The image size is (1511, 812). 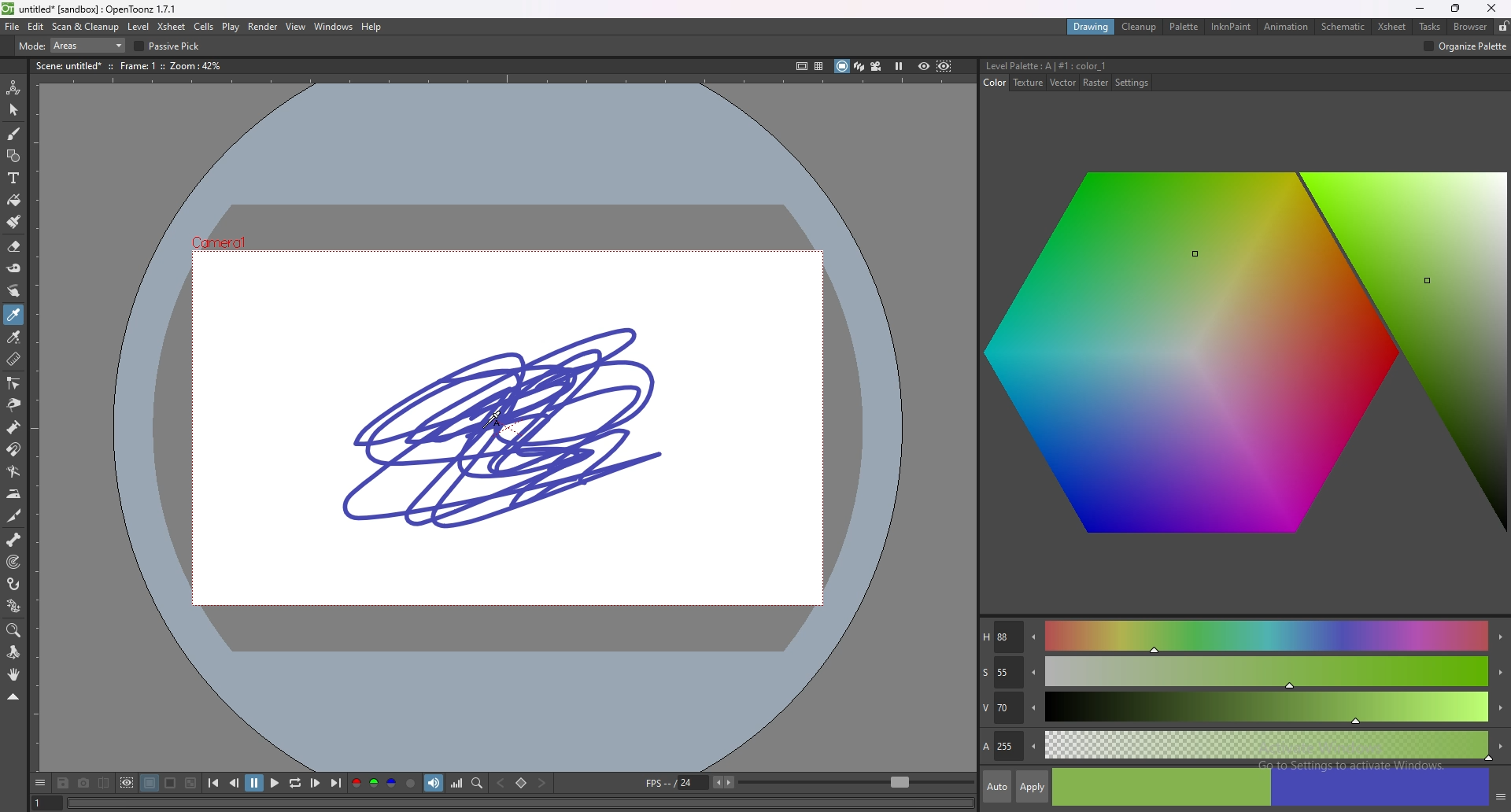 I want to click on hue, so click(x=1243, y=637).